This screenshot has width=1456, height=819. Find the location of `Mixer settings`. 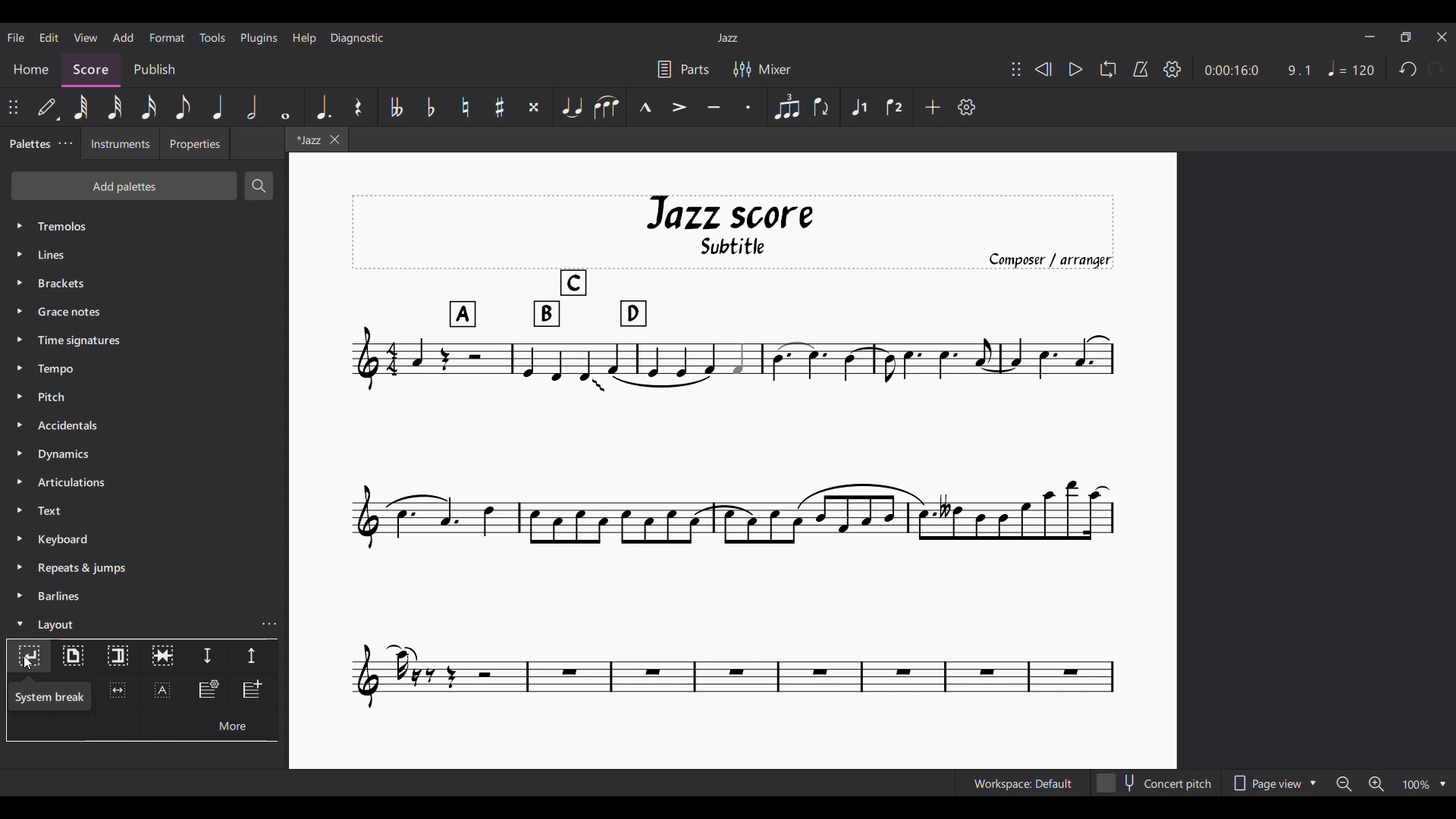

Mixer settings is located at coordinates (762, 70).